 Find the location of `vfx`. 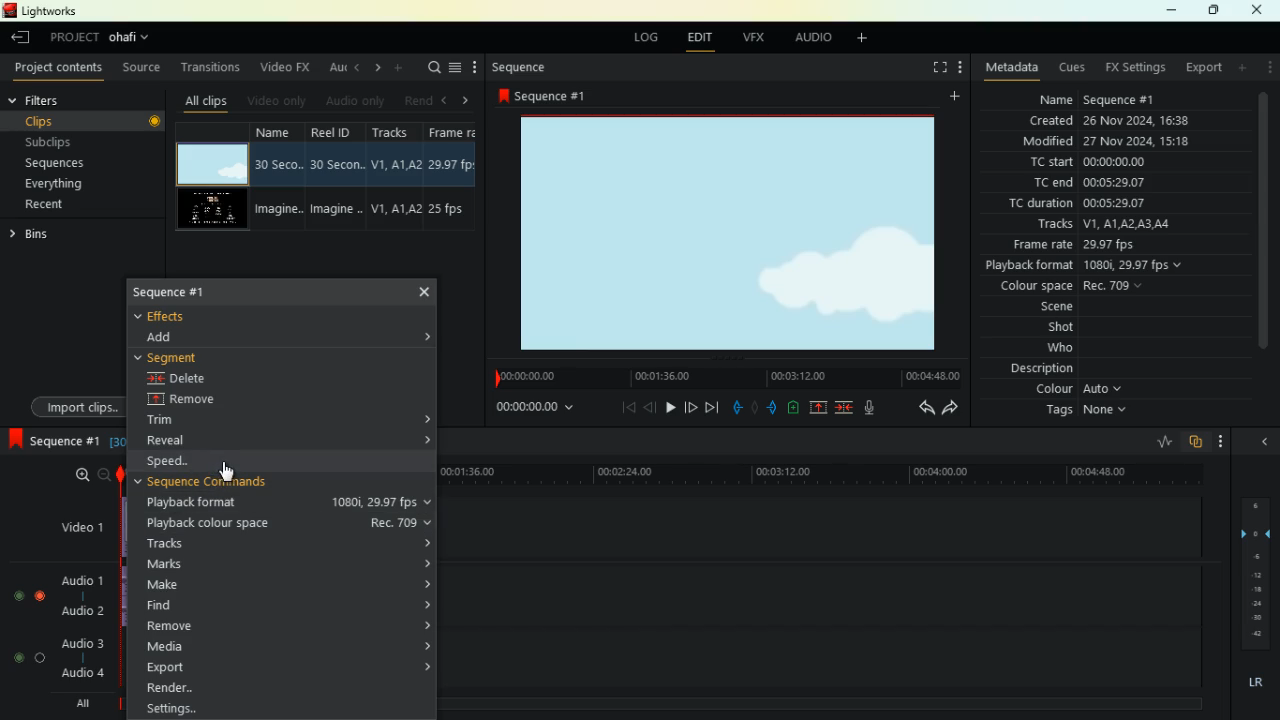

vfx is located at coordinates (758, 37).